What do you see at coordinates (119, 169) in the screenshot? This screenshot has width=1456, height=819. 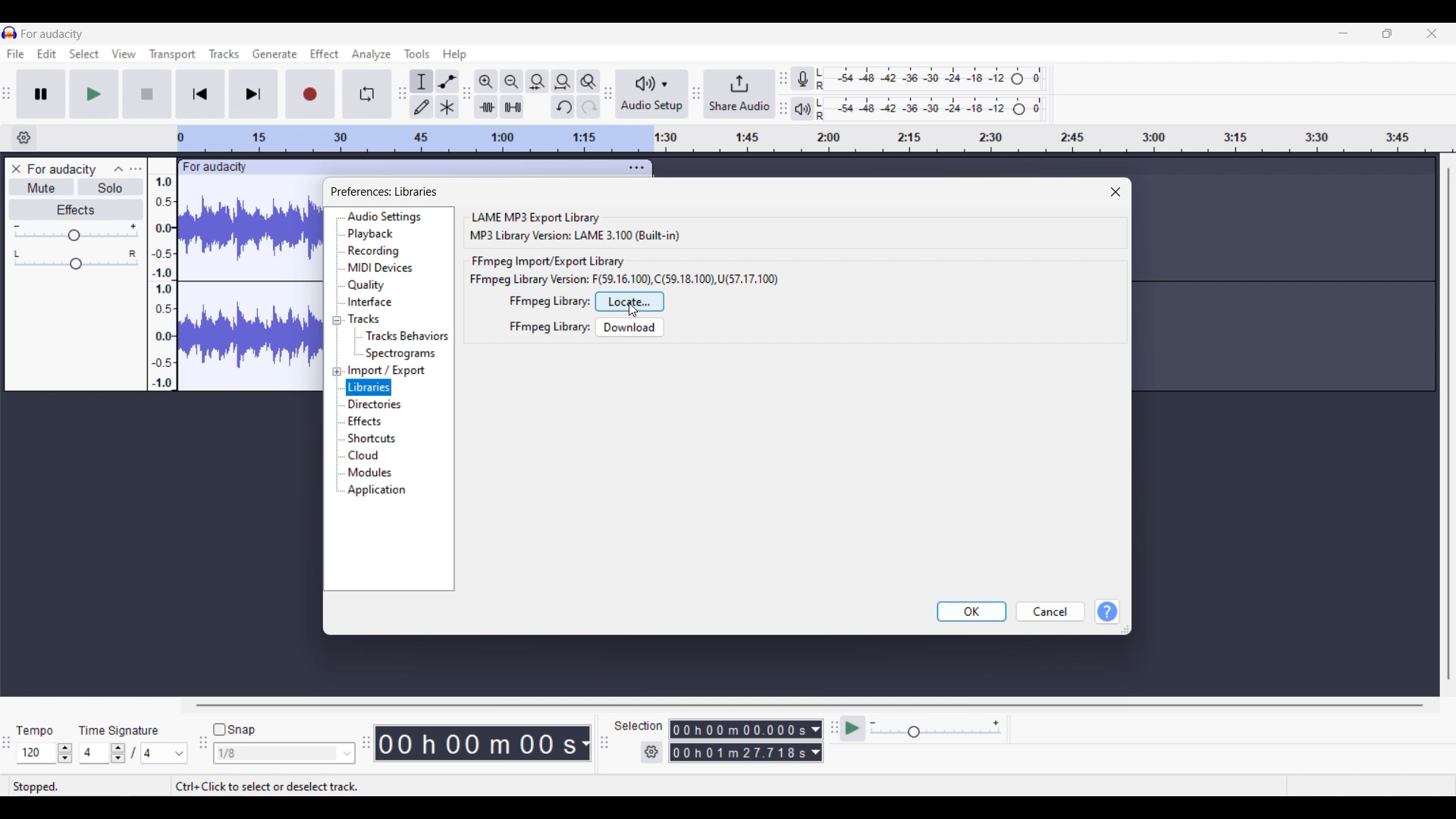 I see `Collapse ` at bounding box center [119, 169].